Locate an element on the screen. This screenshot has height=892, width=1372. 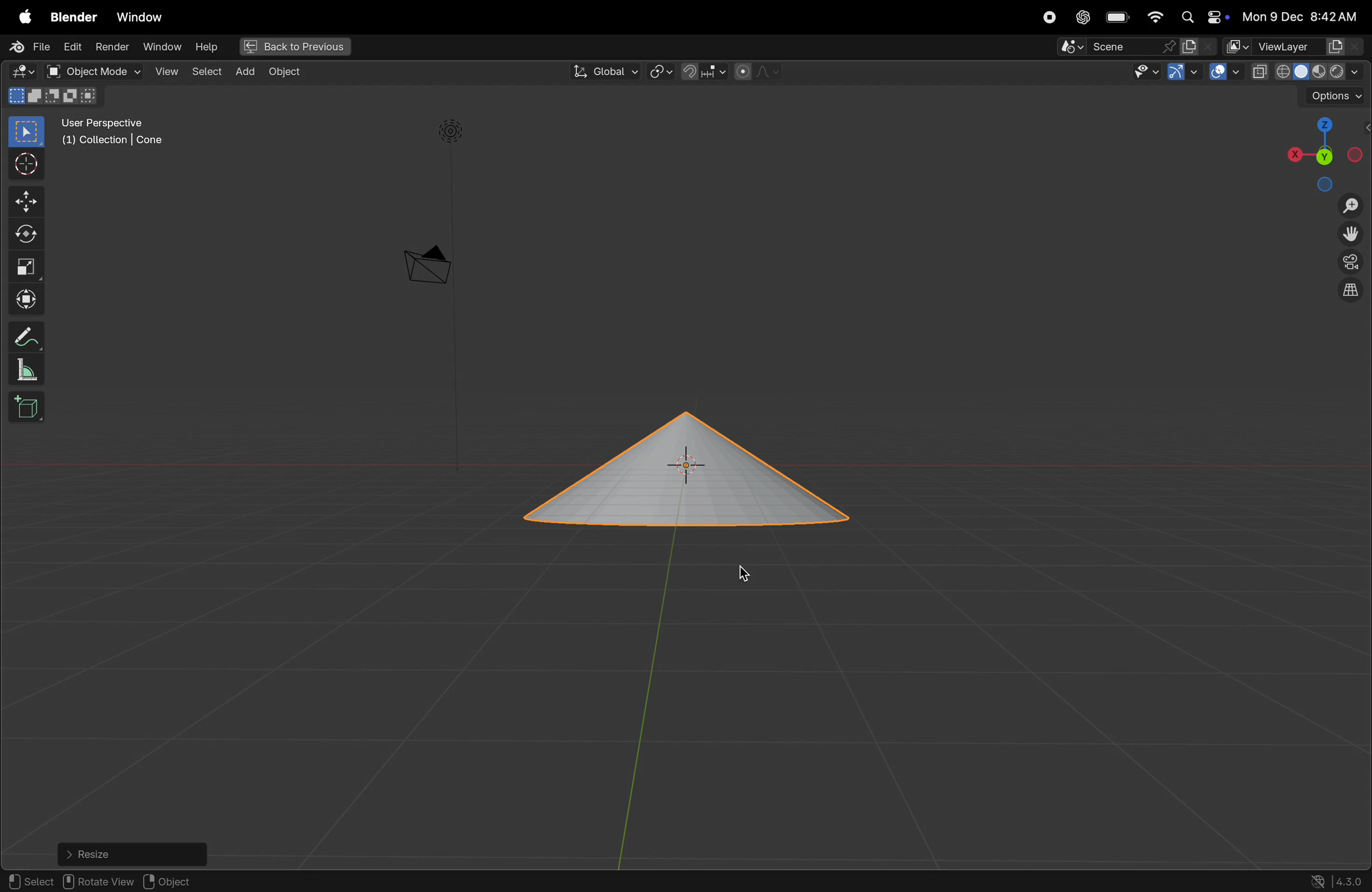
show overlays is located at coordinates (1226, 71).